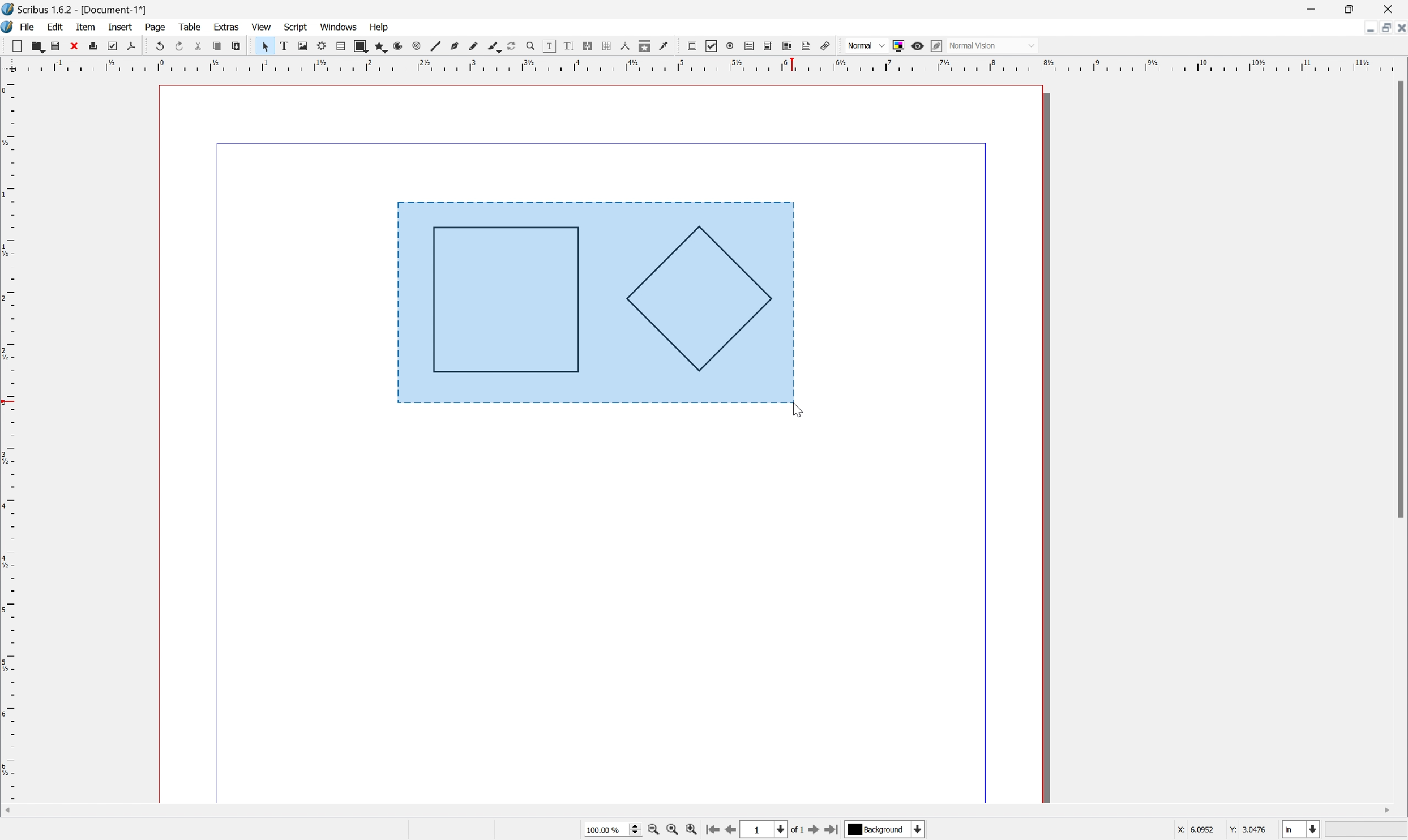 The height and width of the screenshot is (840, 1408). I want to click on Preview mode, so click(917, 46).